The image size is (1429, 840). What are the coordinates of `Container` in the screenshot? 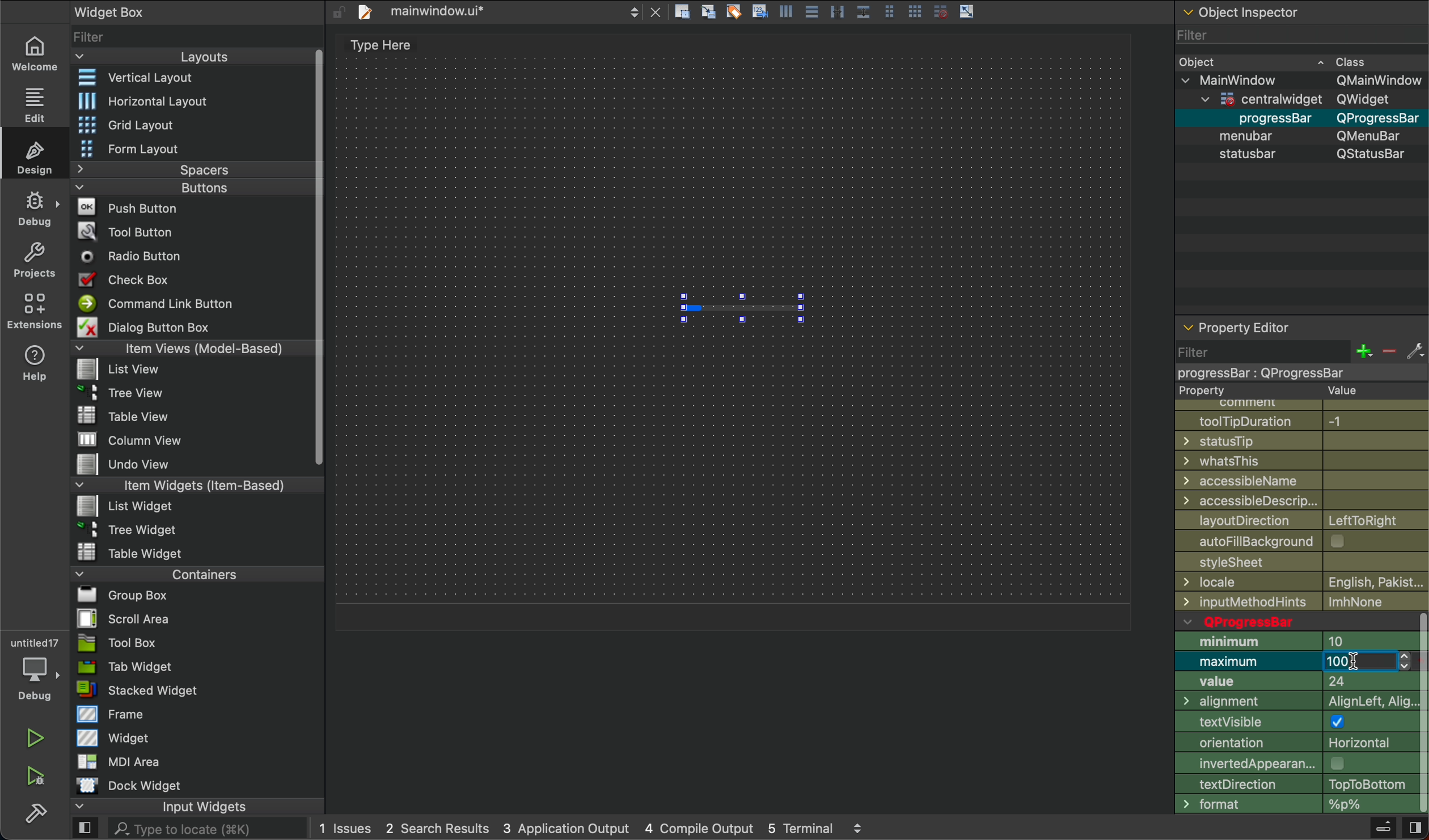 It's located at (168, 573).